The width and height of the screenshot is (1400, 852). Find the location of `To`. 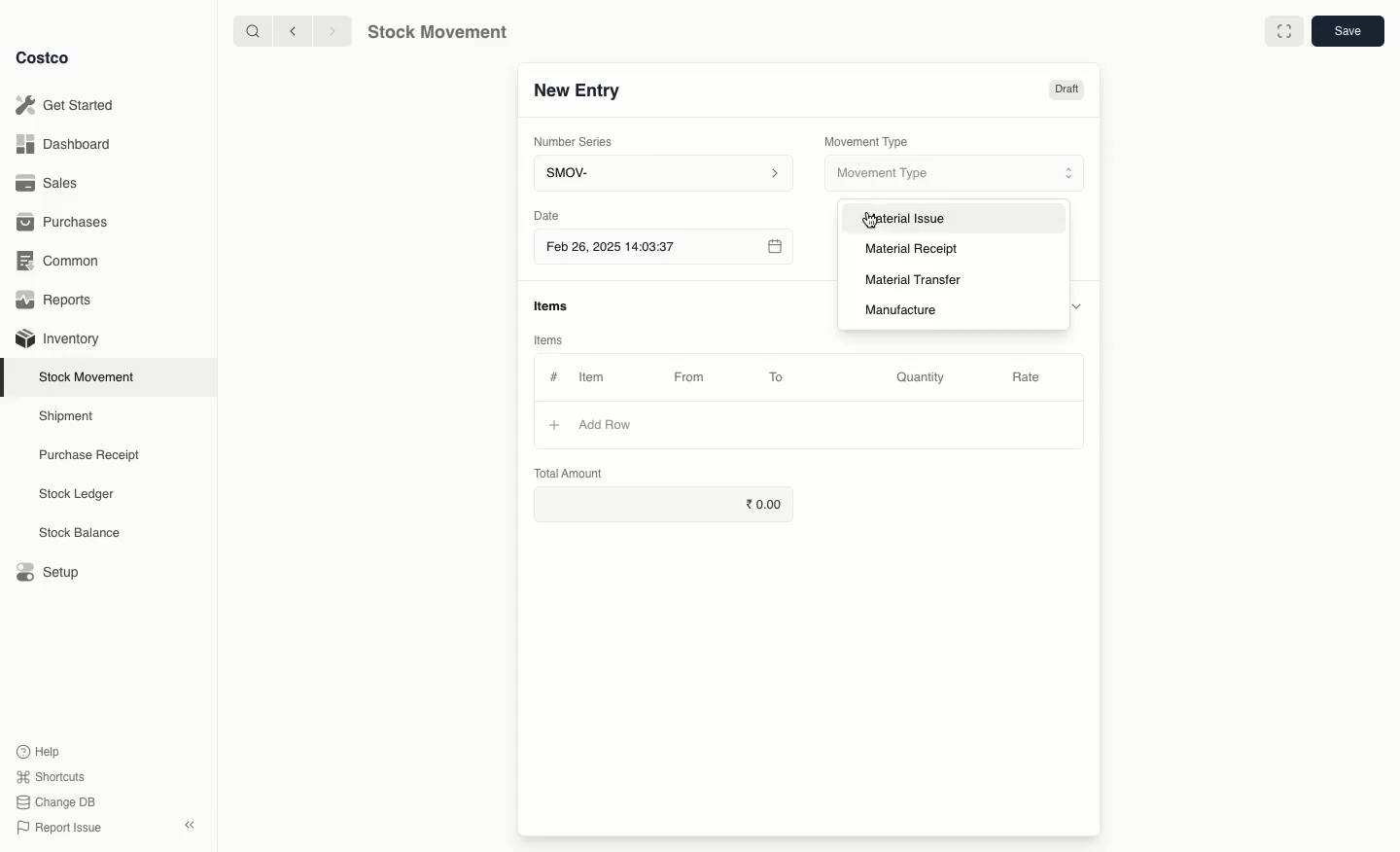

To is located at coordinates (777, 376).